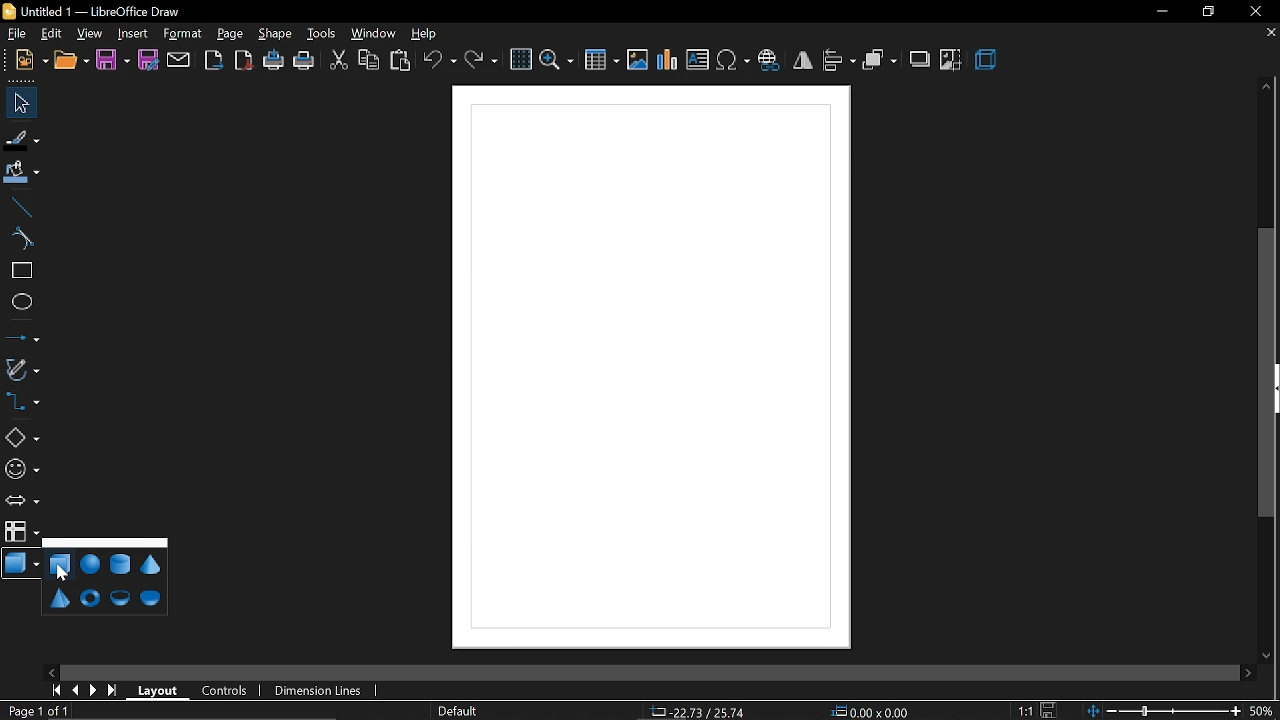 Image resolution: width=1280 pixels, height=720 pixels. I want to click on insert hyperlink, so click(769, 62).